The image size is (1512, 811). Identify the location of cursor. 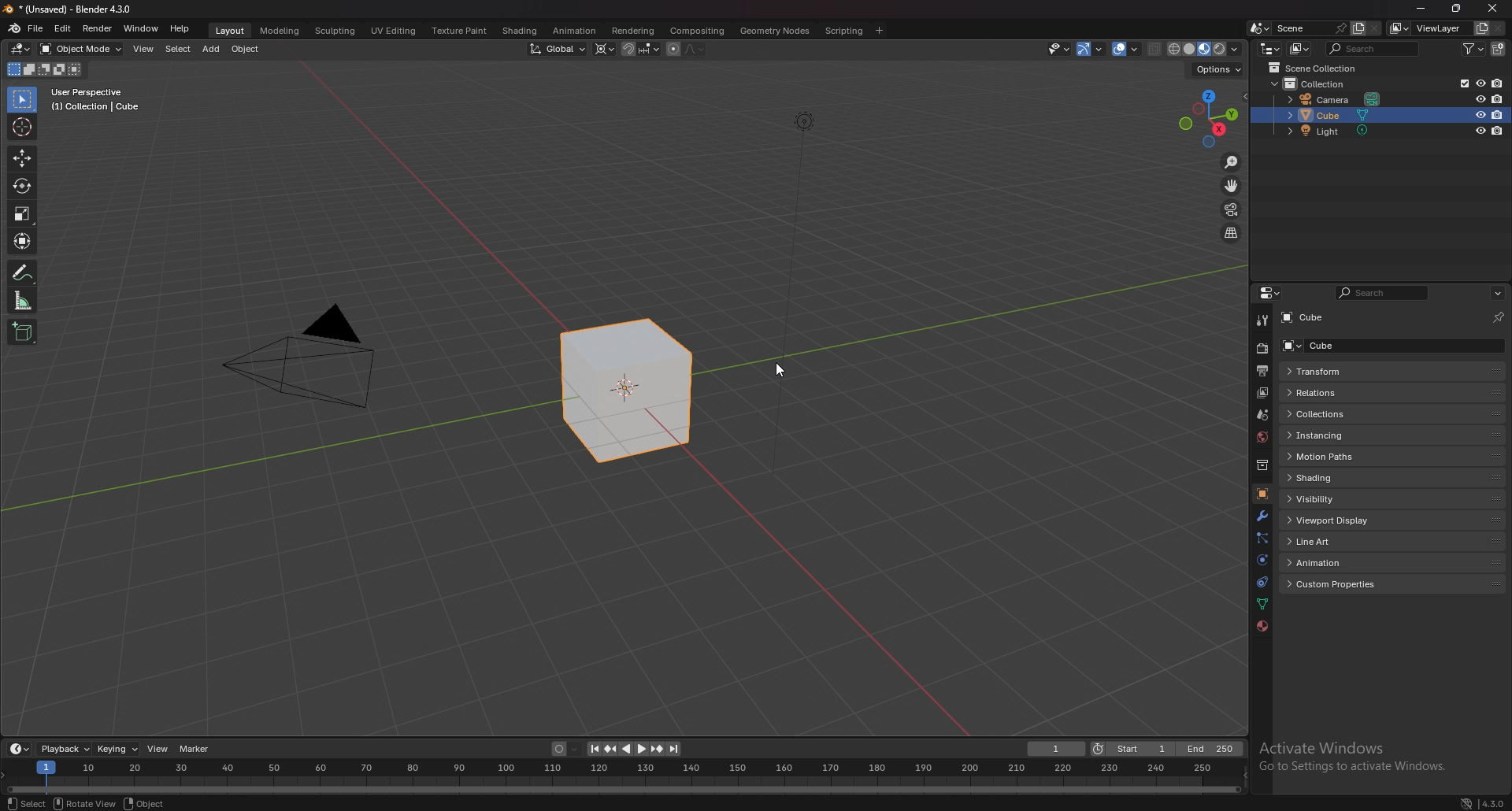
(782, 368).